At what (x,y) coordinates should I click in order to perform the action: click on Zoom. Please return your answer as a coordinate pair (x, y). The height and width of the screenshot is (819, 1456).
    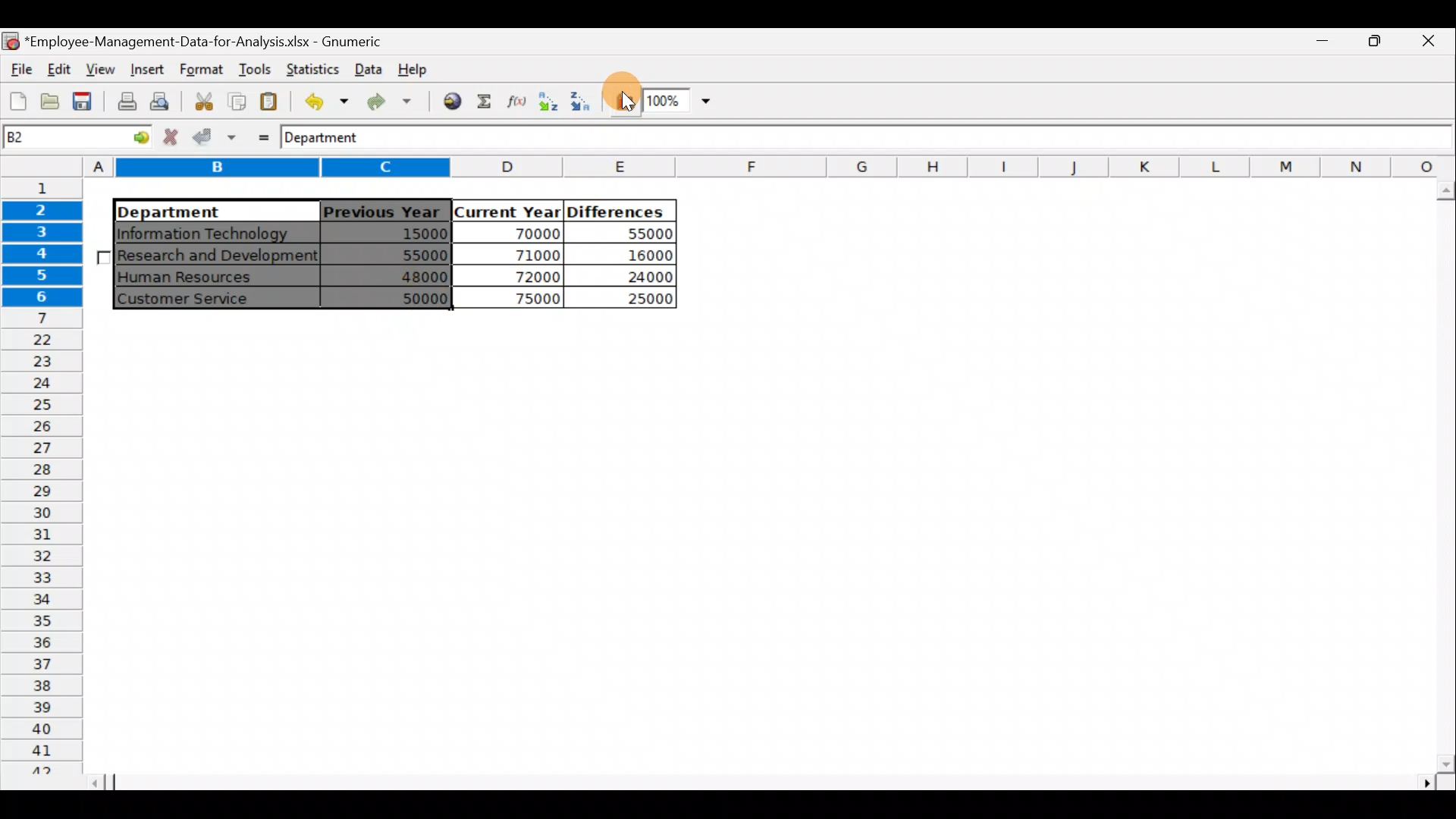
    Looking at the image, I should click on (676, 103).